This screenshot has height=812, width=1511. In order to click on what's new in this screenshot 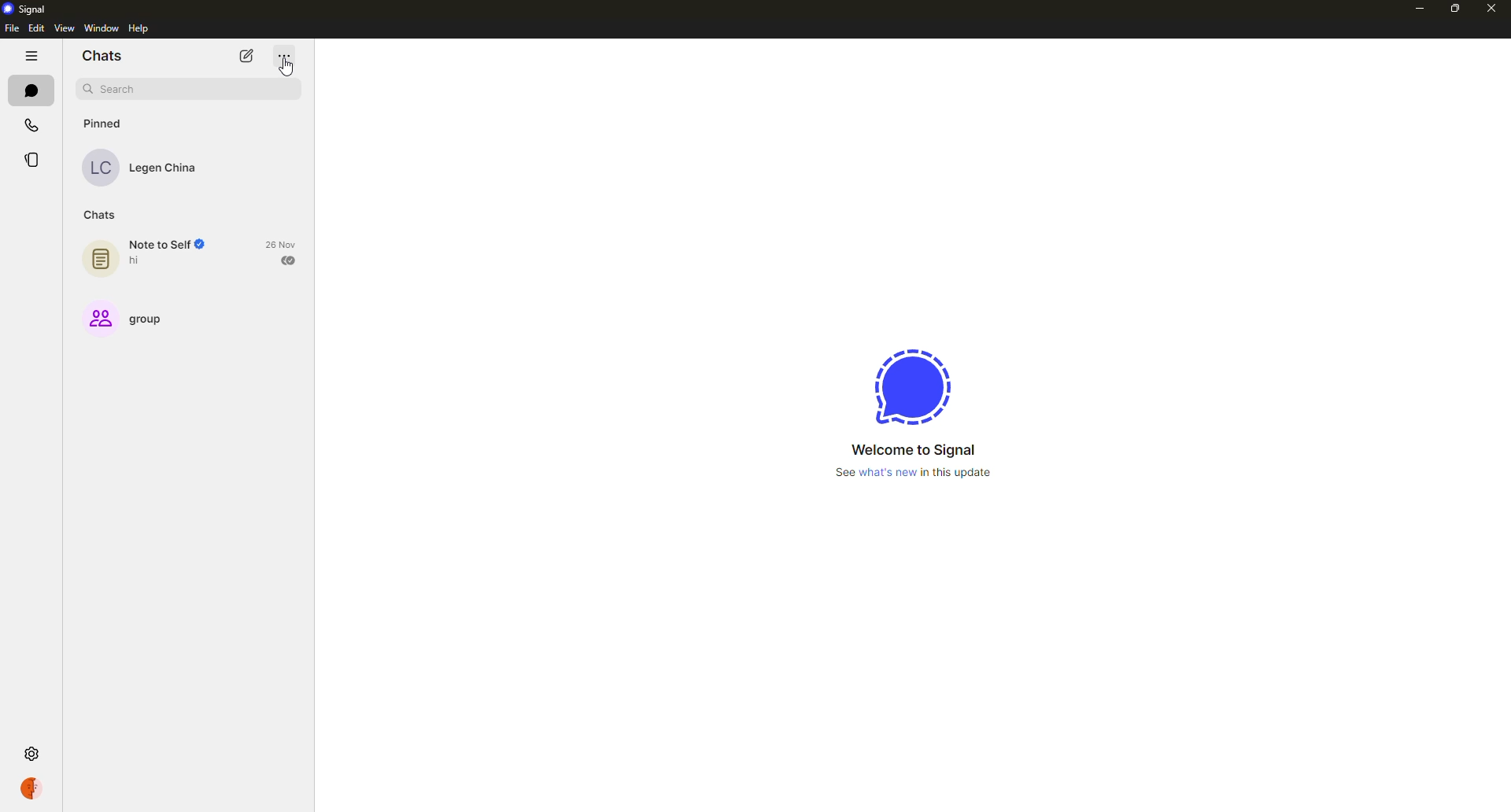, I will do `click(916, 472)`.